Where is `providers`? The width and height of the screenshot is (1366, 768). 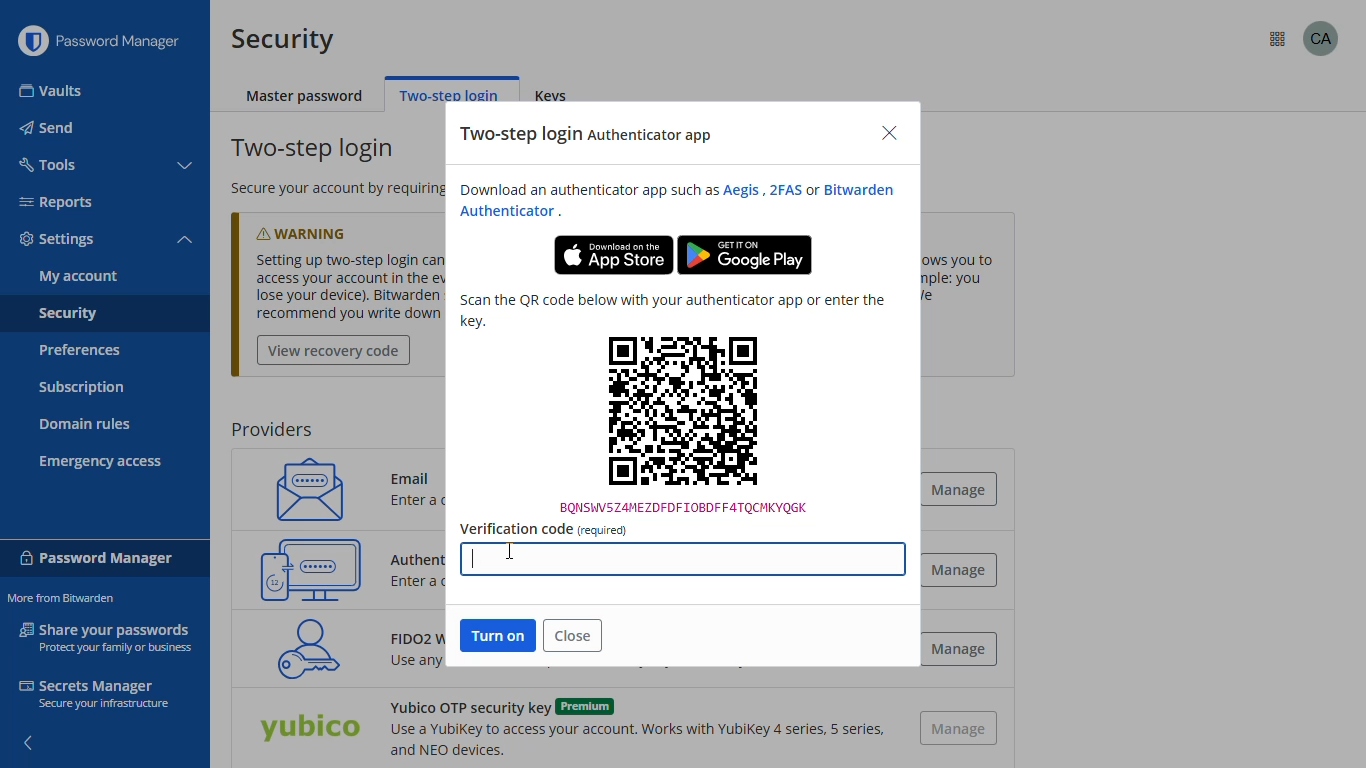
providers is located at coordinates (271, 430).